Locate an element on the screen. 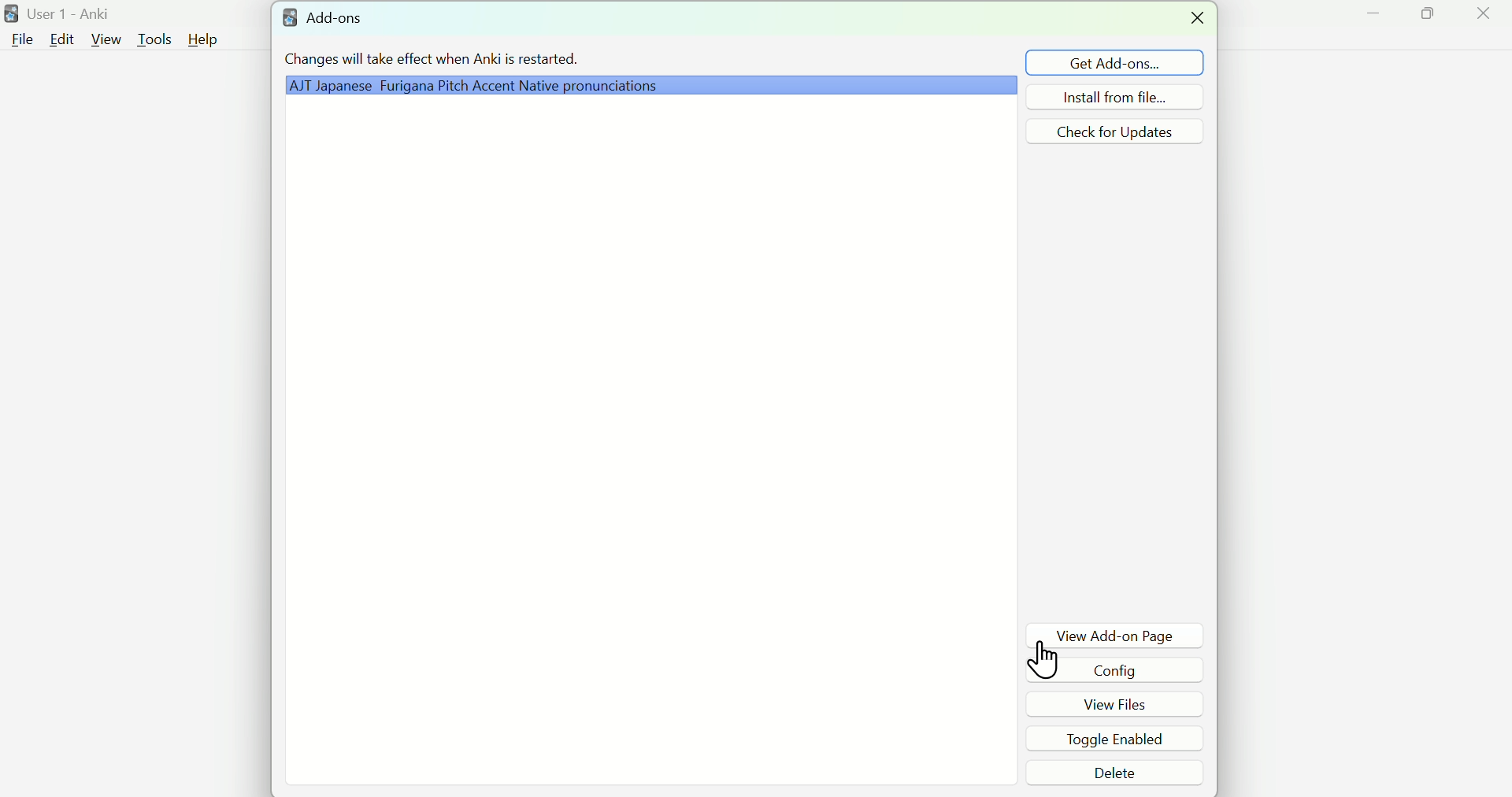 The height and width of the screenshot is (797, 1512). View Add-on Page is located at coordinates (1117, 638).